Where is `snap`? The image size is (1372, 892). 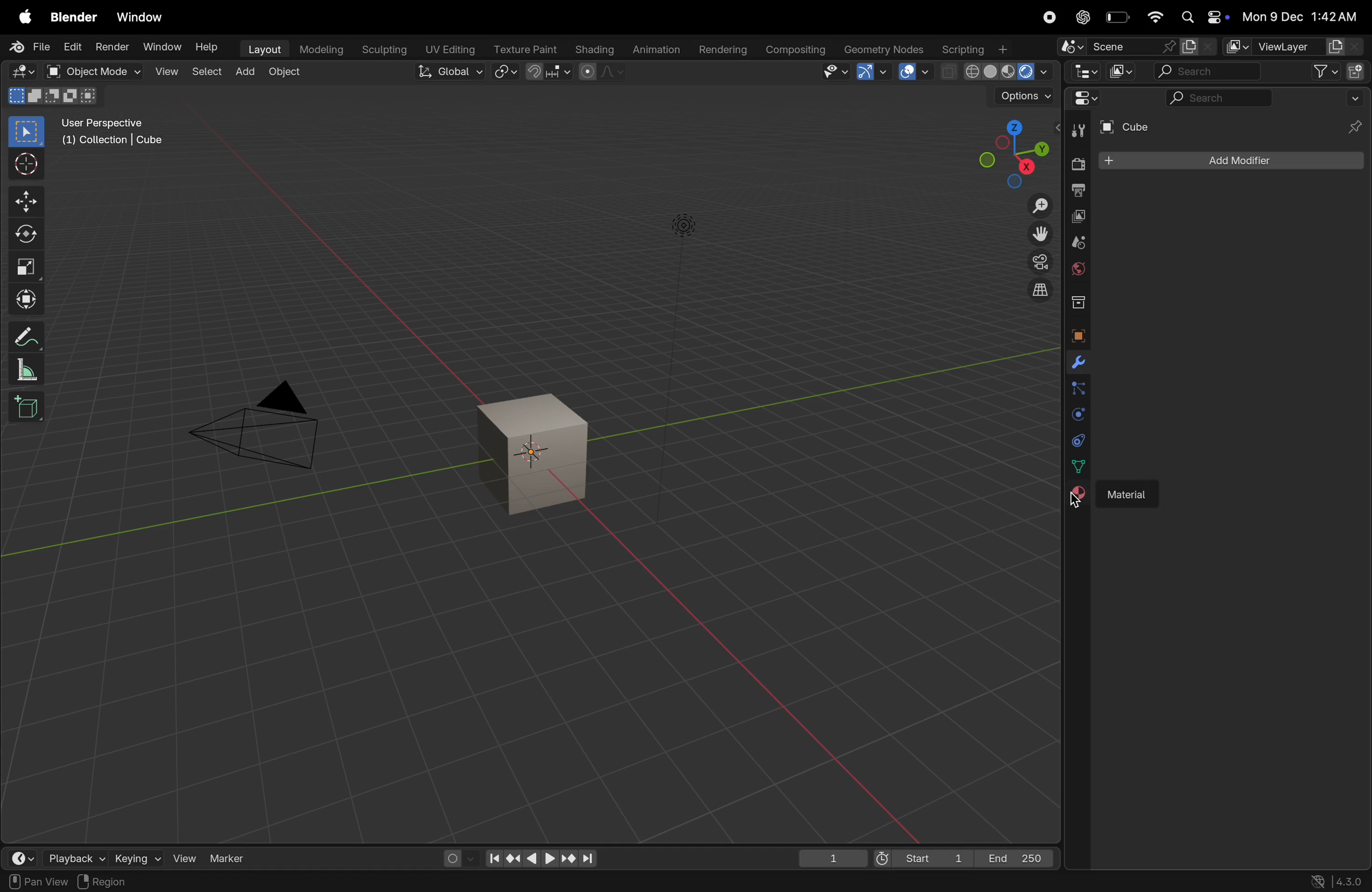 snap is located at coordinates (548, 73).